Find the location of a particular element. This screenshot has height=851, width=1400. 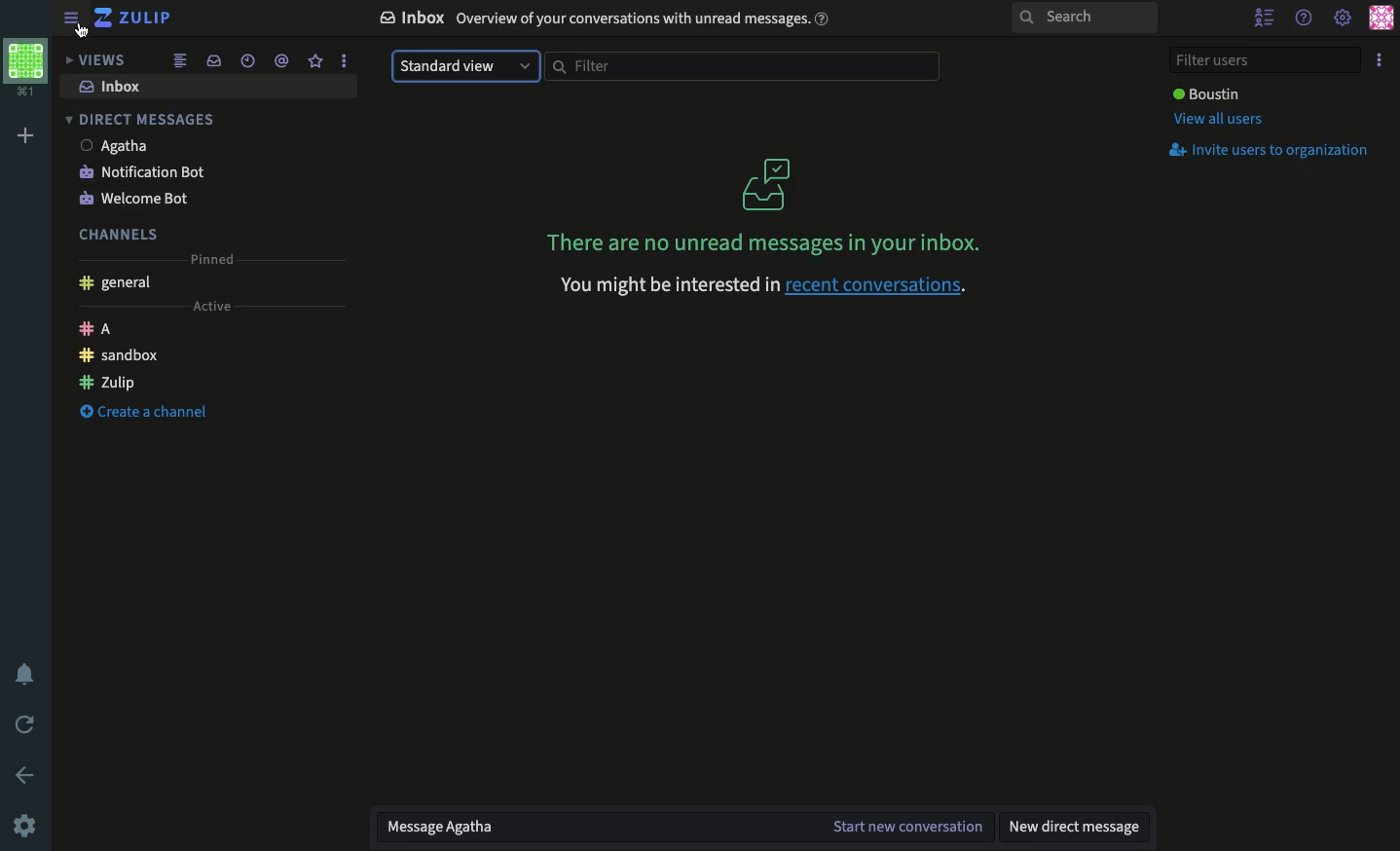

Zulip is located at coordinates (133, 18).